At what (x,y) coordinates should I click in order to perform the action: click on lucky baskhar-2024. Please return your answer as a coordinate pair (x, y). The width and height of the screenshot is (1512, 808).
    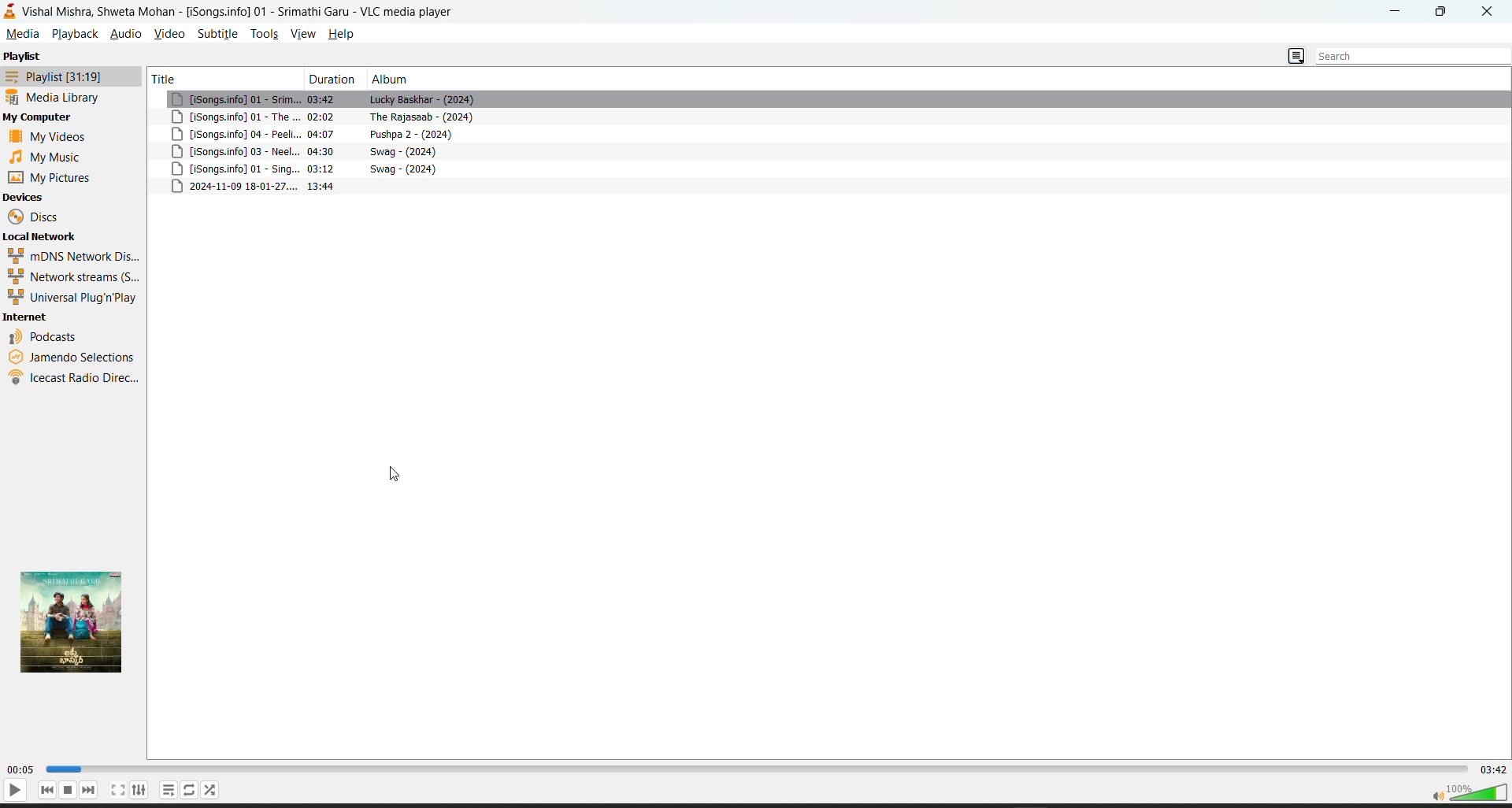
    Looking at the image, I should click on (421, 98).